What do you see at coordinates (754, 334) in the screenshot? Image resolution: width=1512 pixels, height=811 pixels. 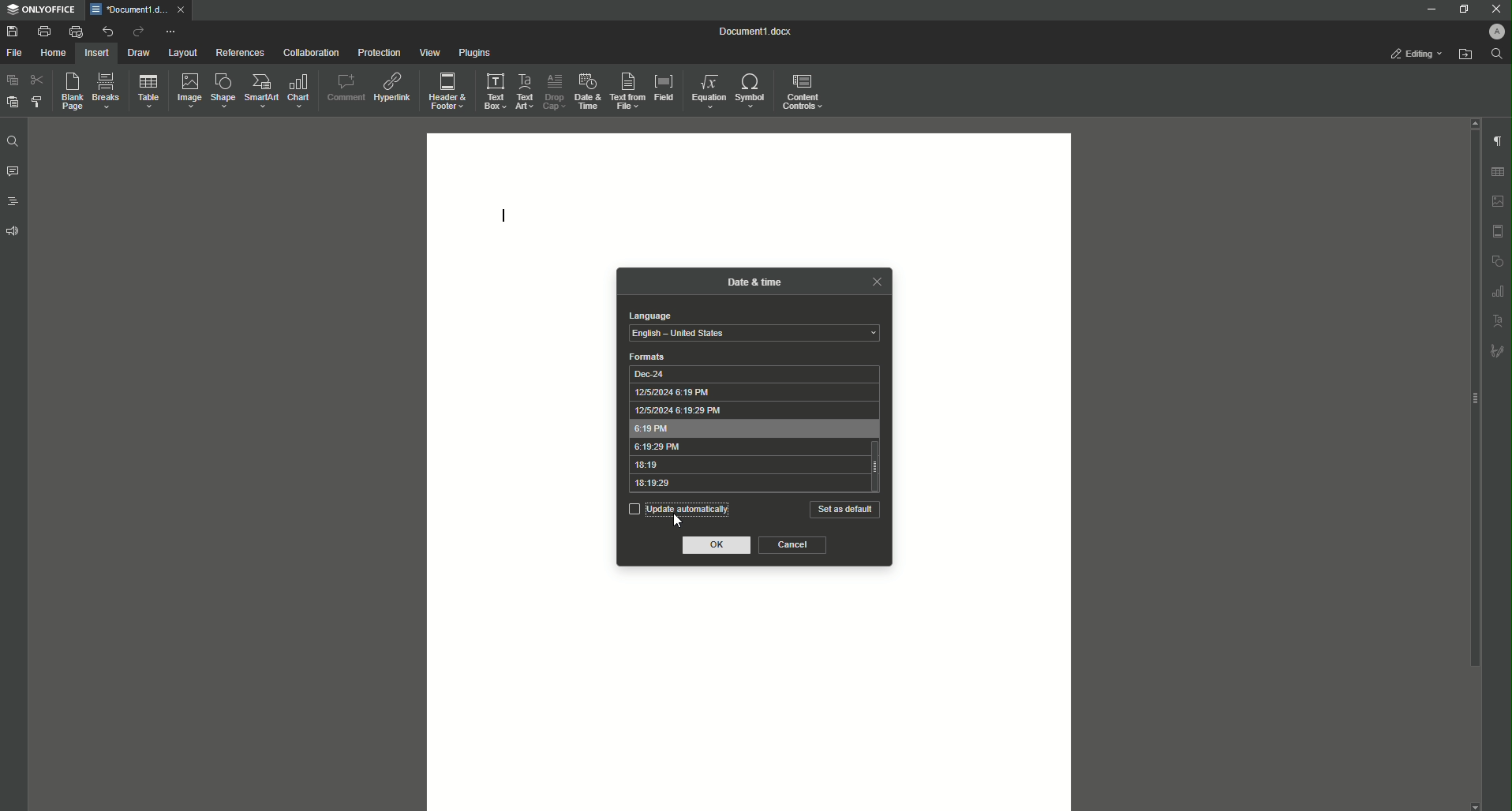 I see `select language` at bounding box center [754, 334].